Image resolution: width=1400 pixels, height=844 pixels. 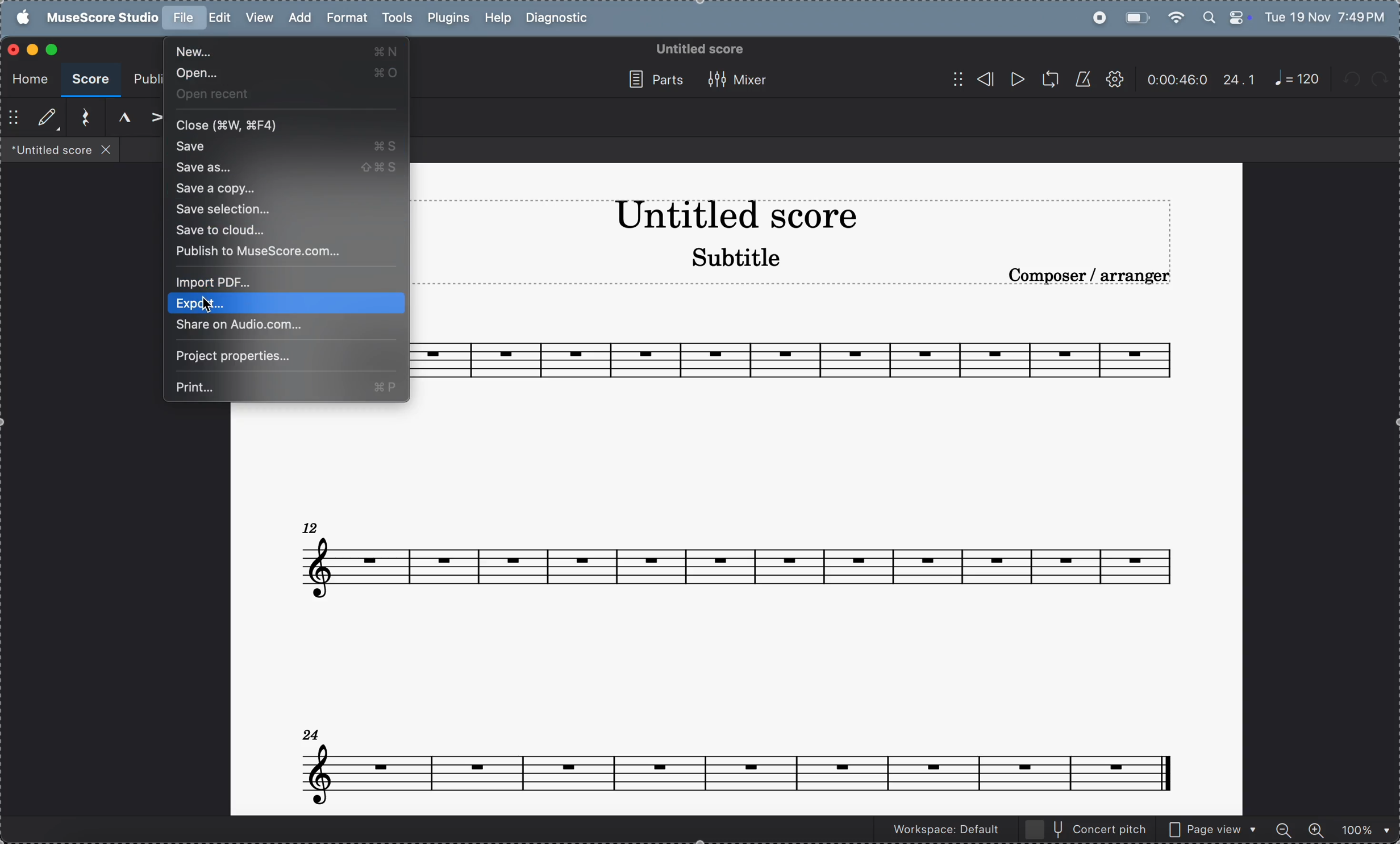 What do you see at coordinates (286, 357) in the screenshot?
I see `project properties` at bounding box center [286, 357].